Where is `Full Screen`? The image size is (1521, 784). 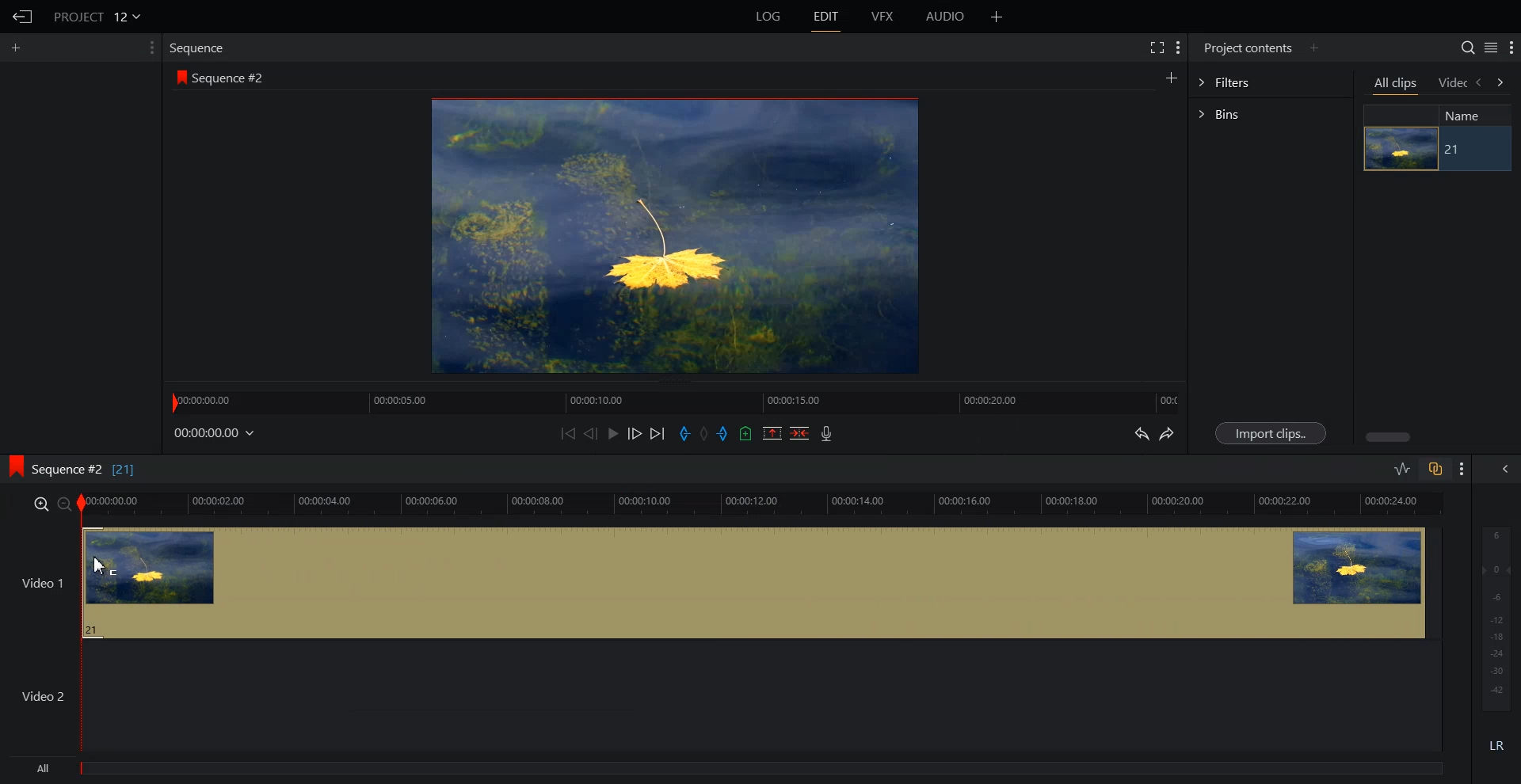
Full Screen is located at coordinates (1158, 48).